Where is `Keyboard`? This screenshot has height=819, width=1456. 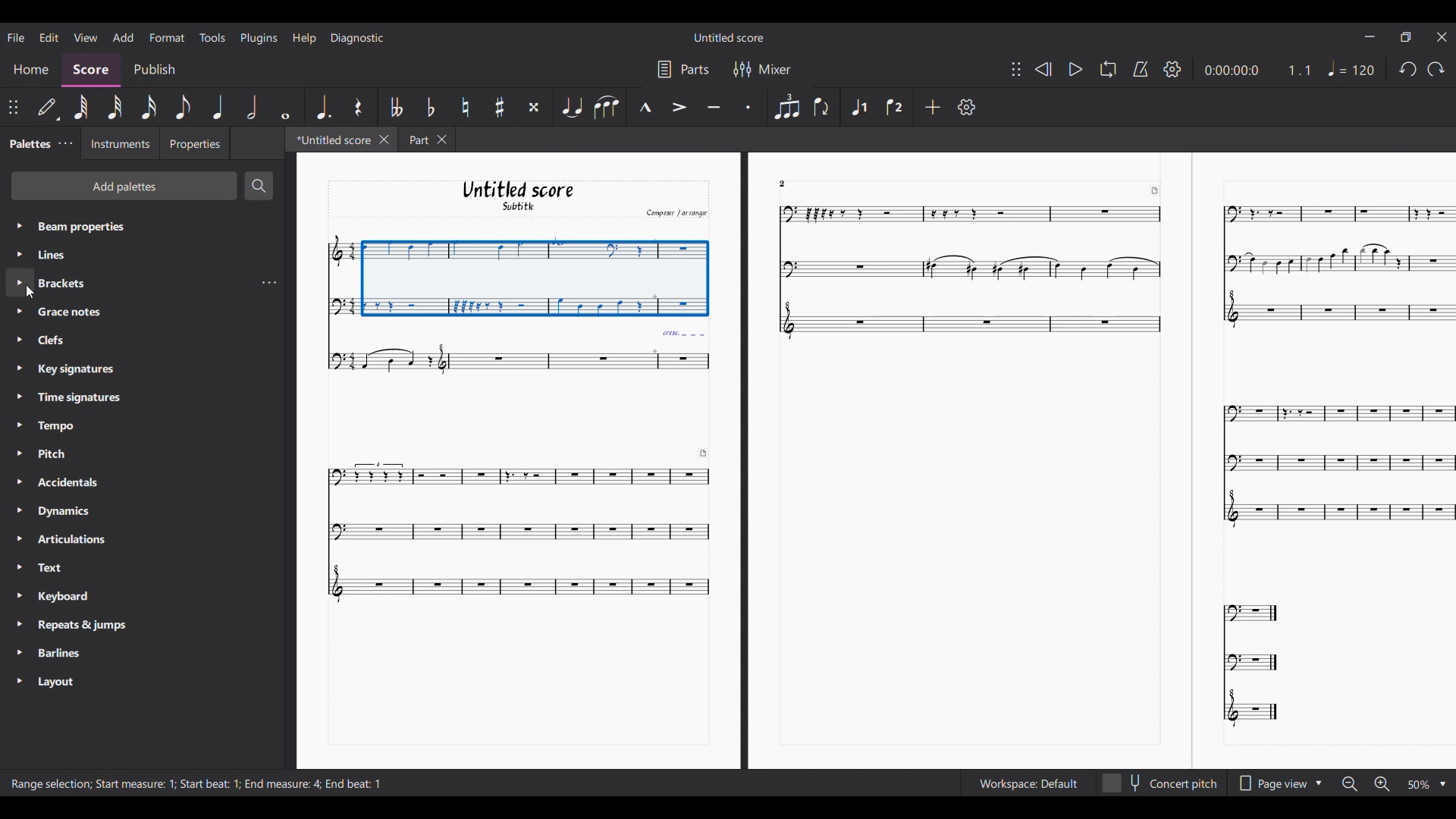
Keyboard is located at coordinates (73, 598).